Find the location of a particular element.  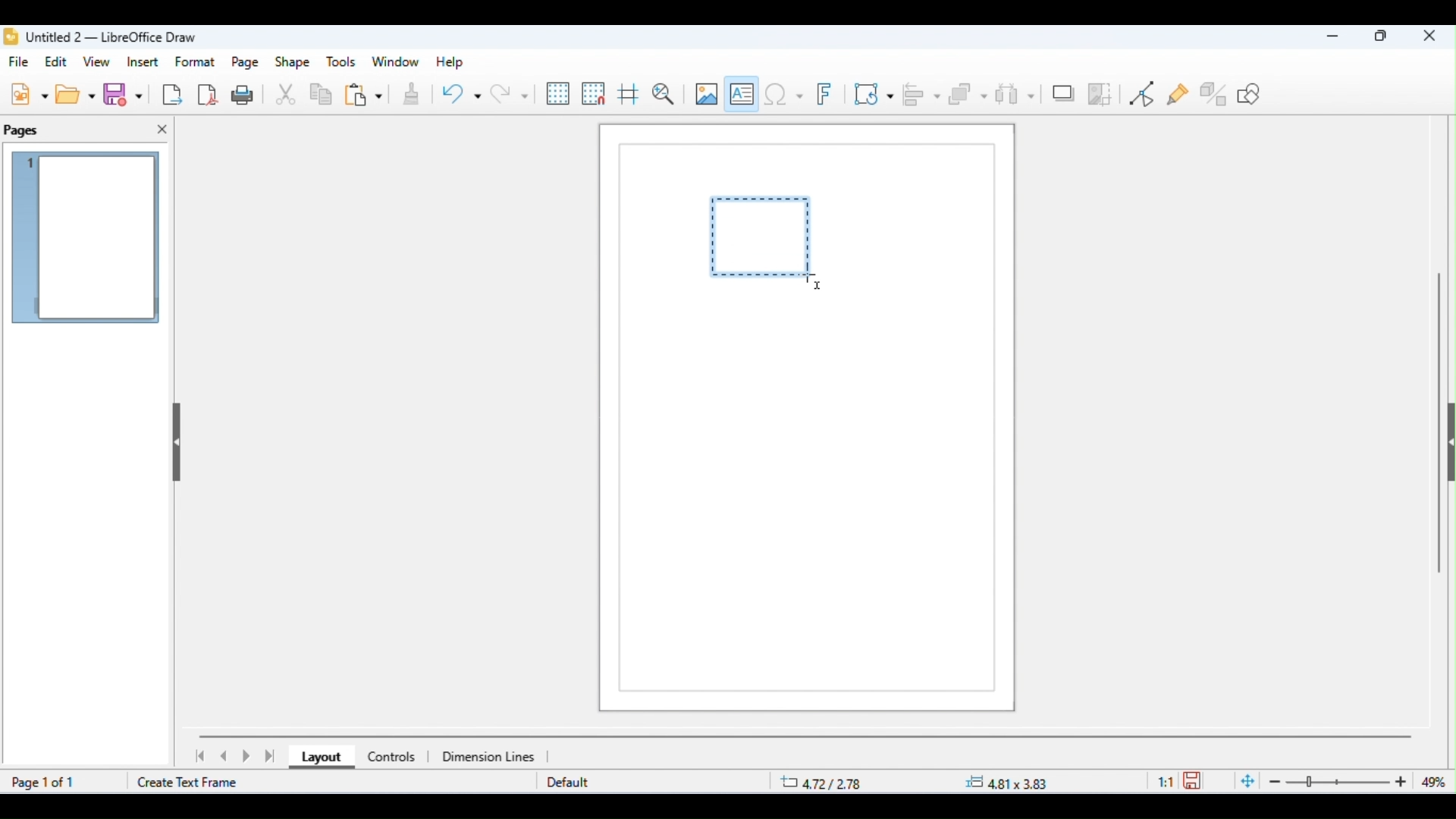

insert image is located at coordinates (705, 93).